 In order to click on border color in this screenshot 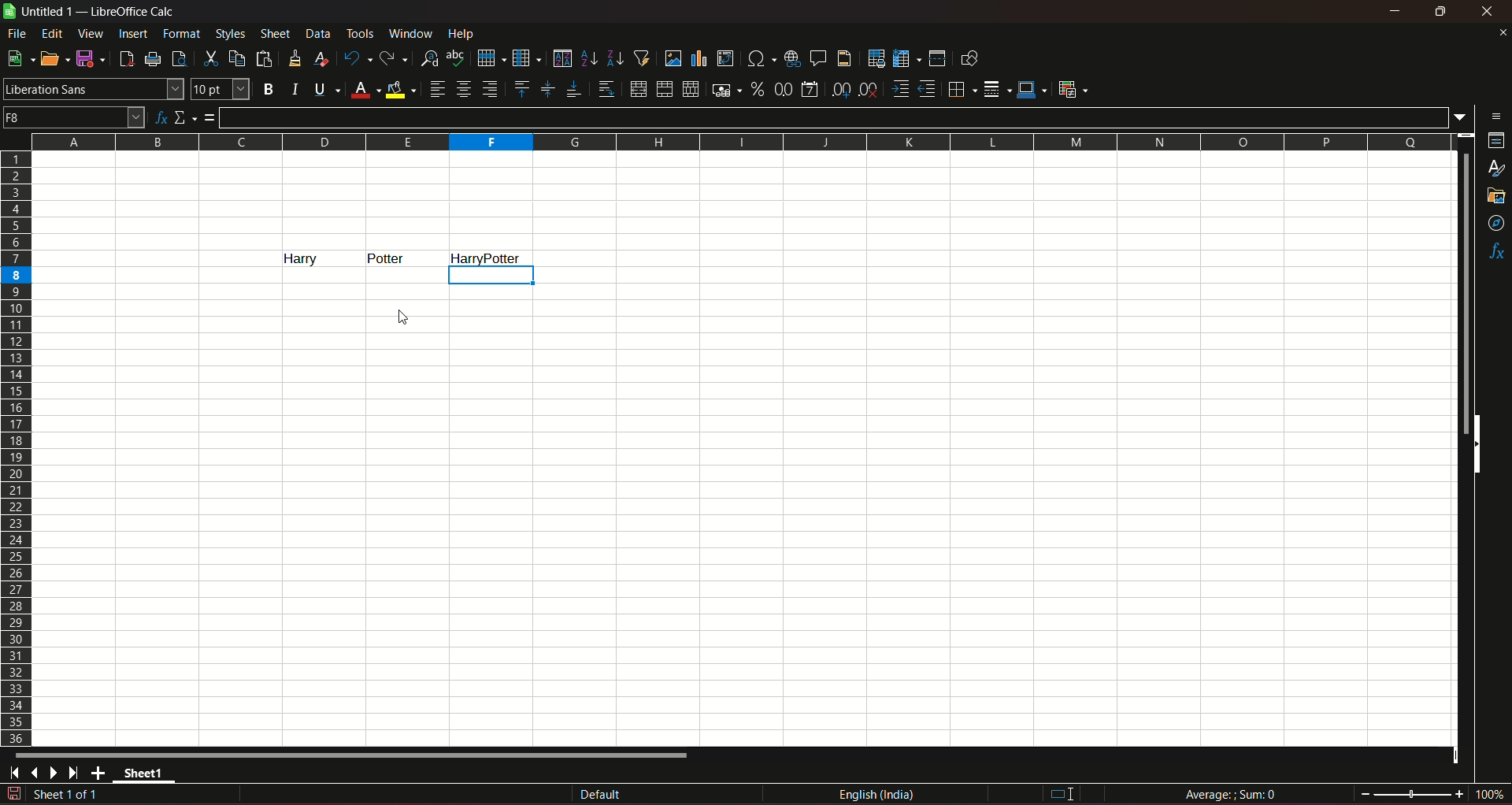, I will do `click(1032, 88)`.